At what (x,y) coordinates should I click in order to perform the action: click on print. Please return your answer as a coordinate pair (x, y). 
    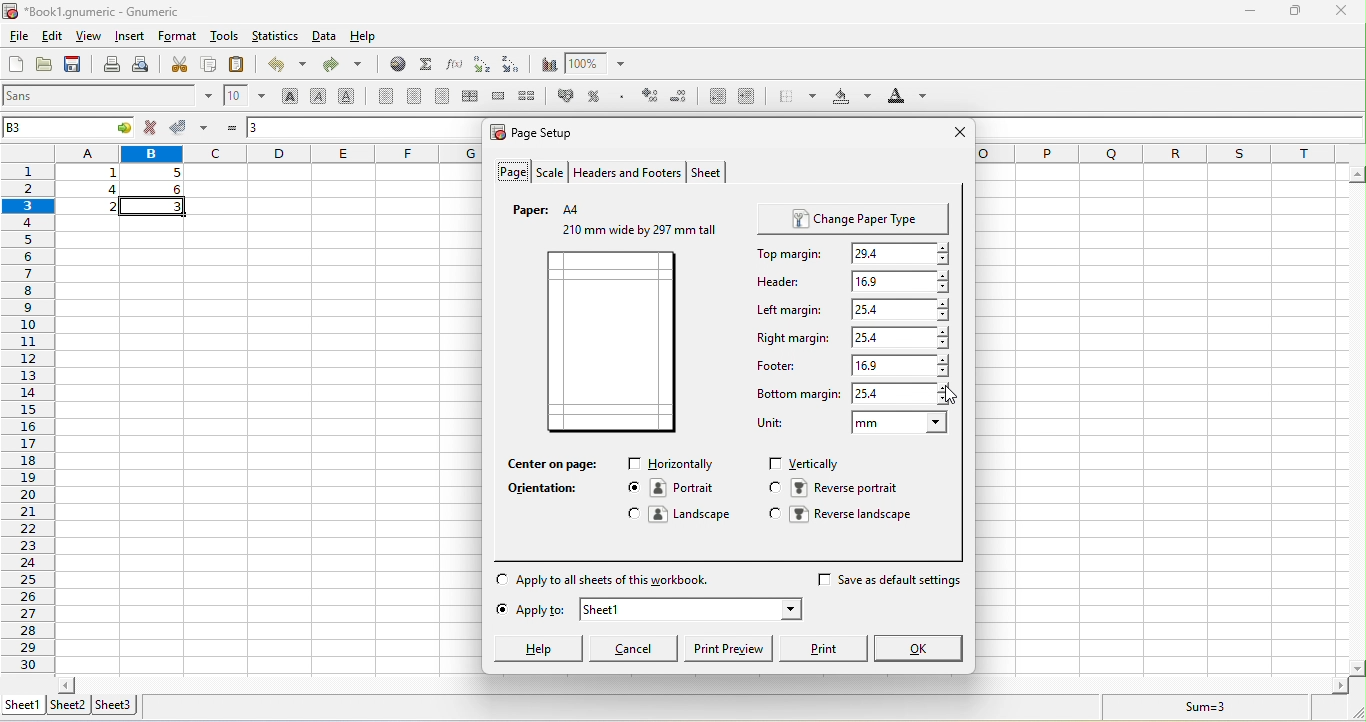
    Looking at the image, I should click on (111, 66).